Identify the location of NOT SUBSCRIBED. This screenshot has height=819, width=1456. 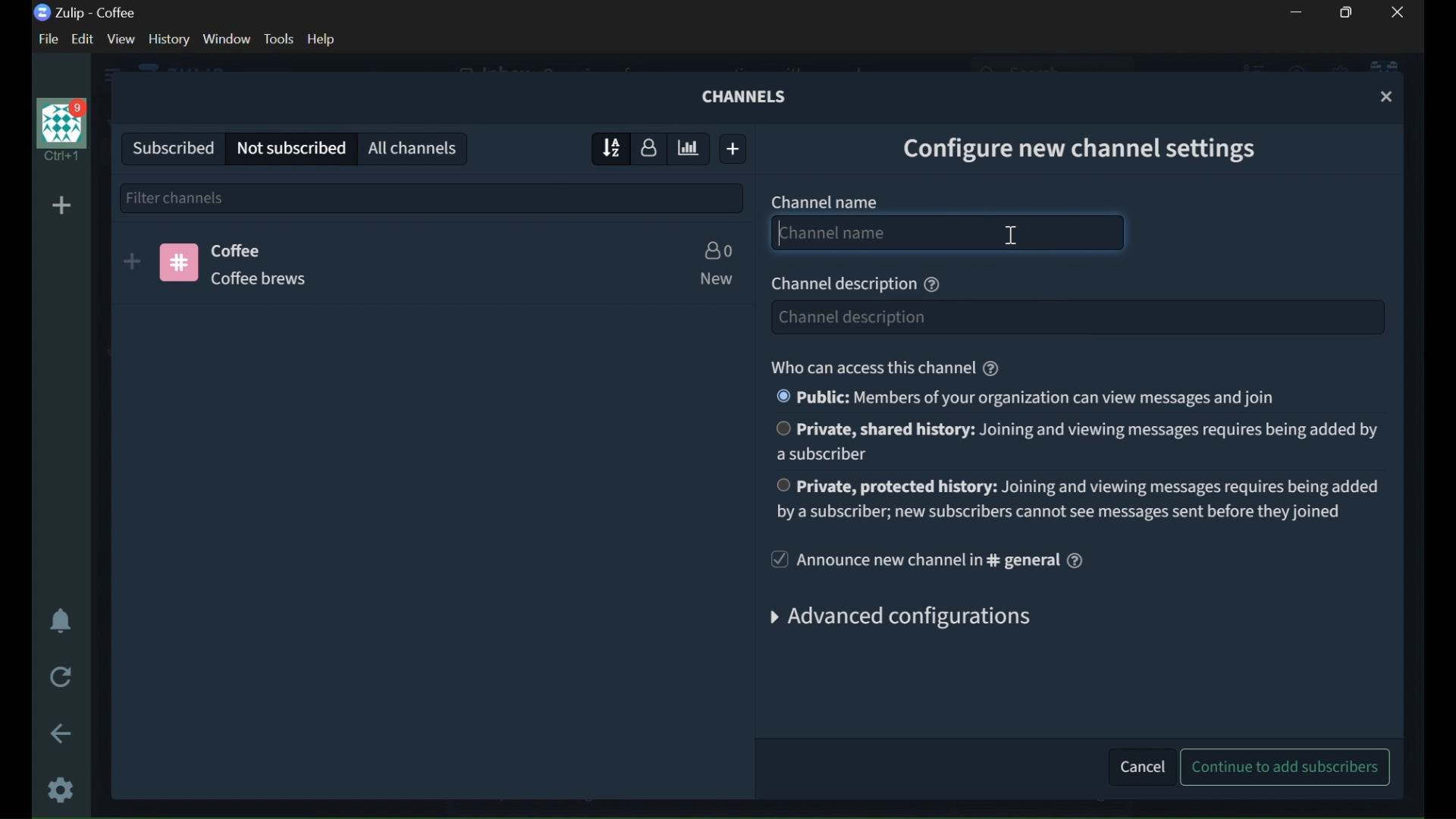
(291, 149).